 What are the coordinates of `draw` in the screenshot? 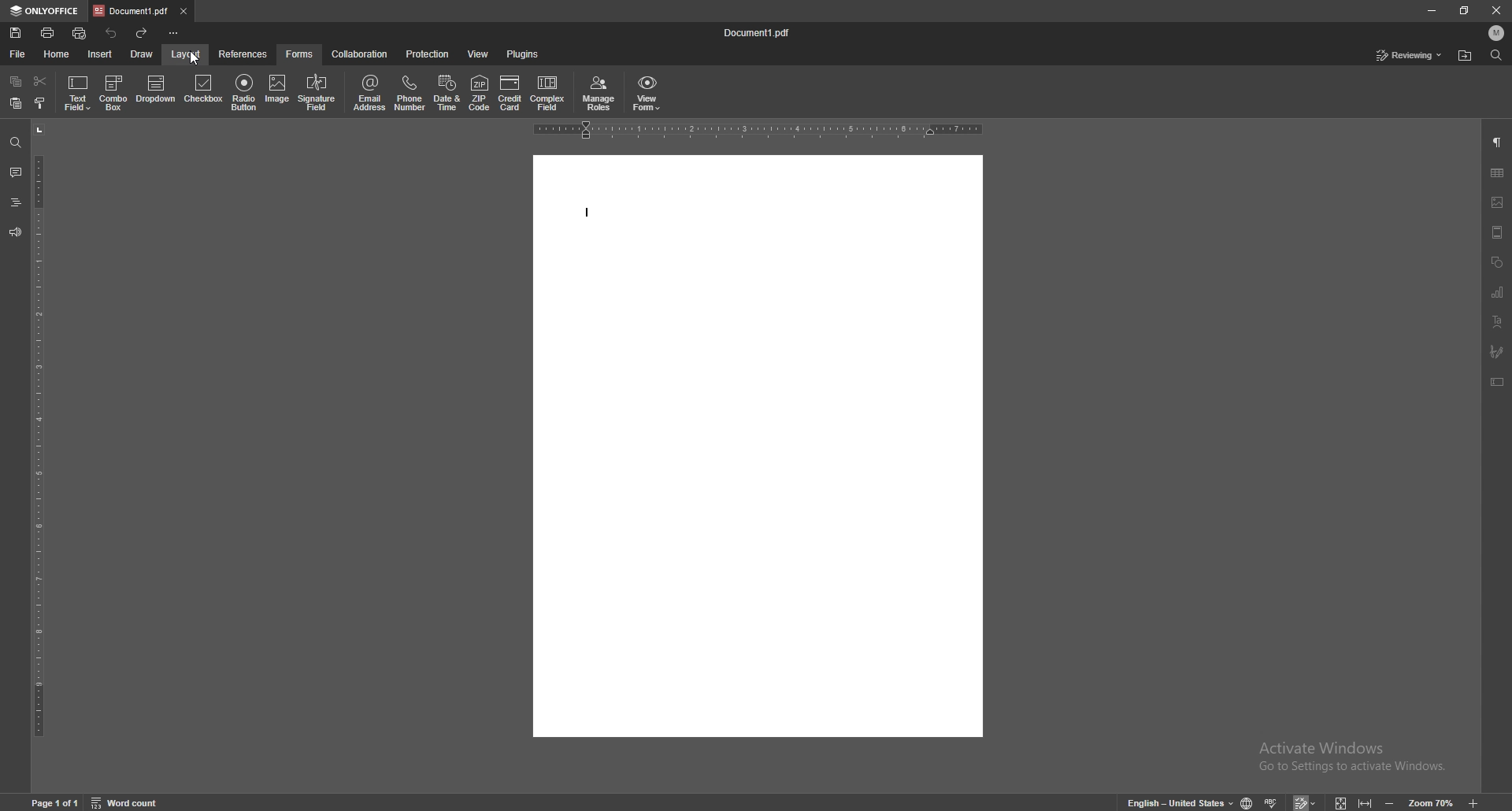 It's located at (143, 54).